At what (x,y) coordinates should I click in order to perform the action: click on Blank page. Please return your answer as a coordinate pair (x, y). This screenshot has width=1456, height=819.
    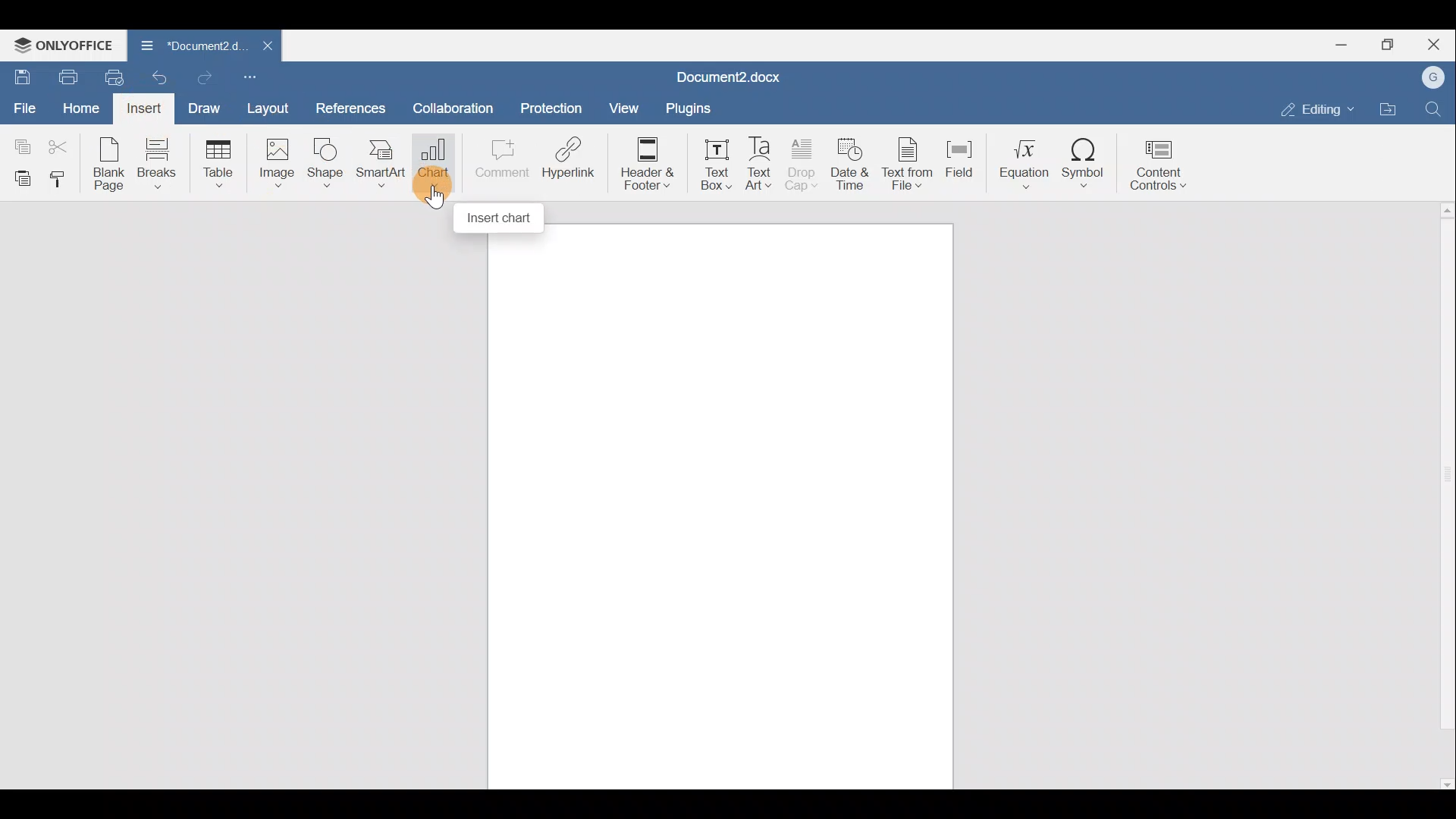
    Looking at the image, I should click on (105, 162).